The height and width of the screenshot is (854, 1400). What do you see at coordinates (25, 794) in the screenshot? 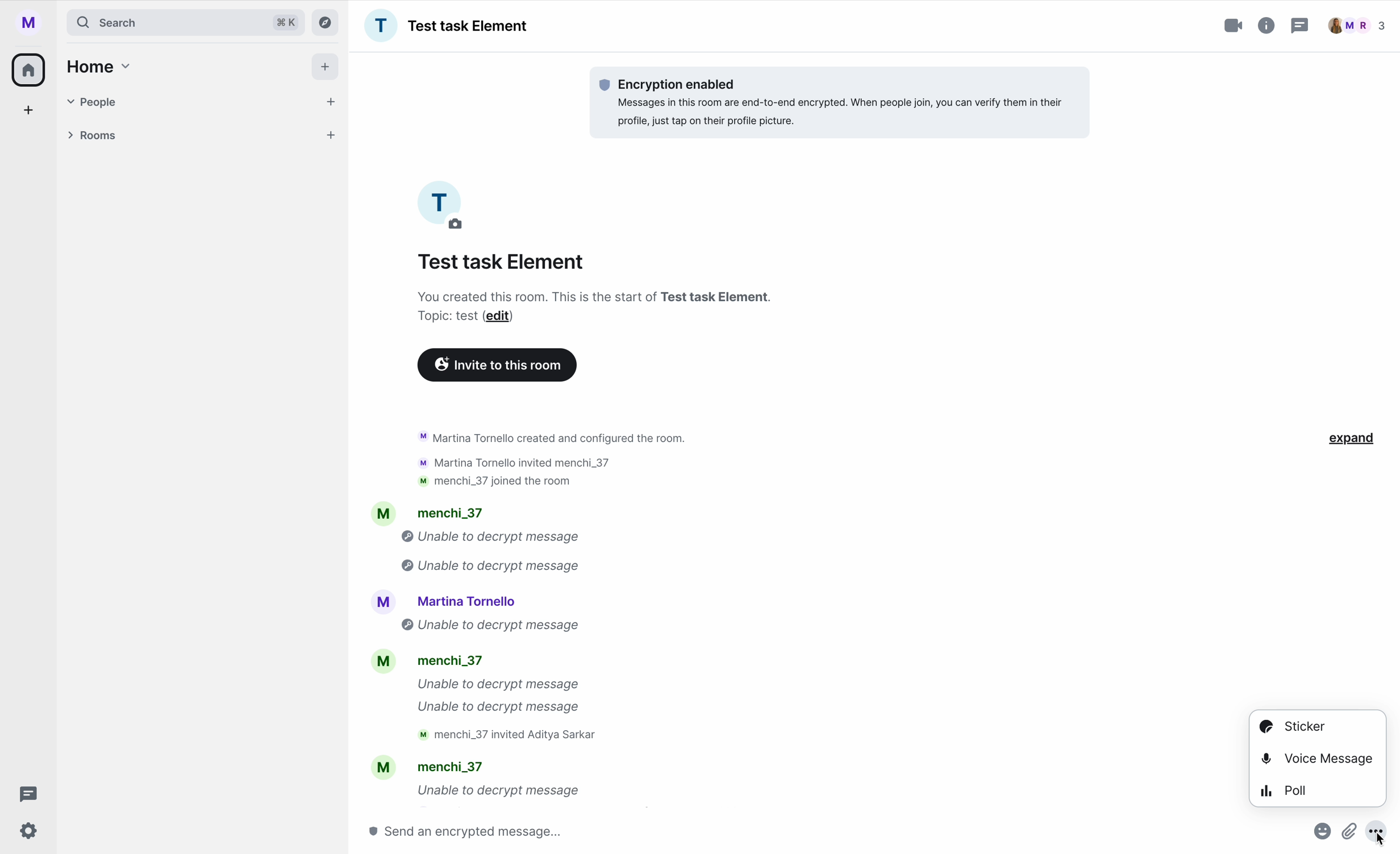
I see `threads` at bounding box center [25, 794].